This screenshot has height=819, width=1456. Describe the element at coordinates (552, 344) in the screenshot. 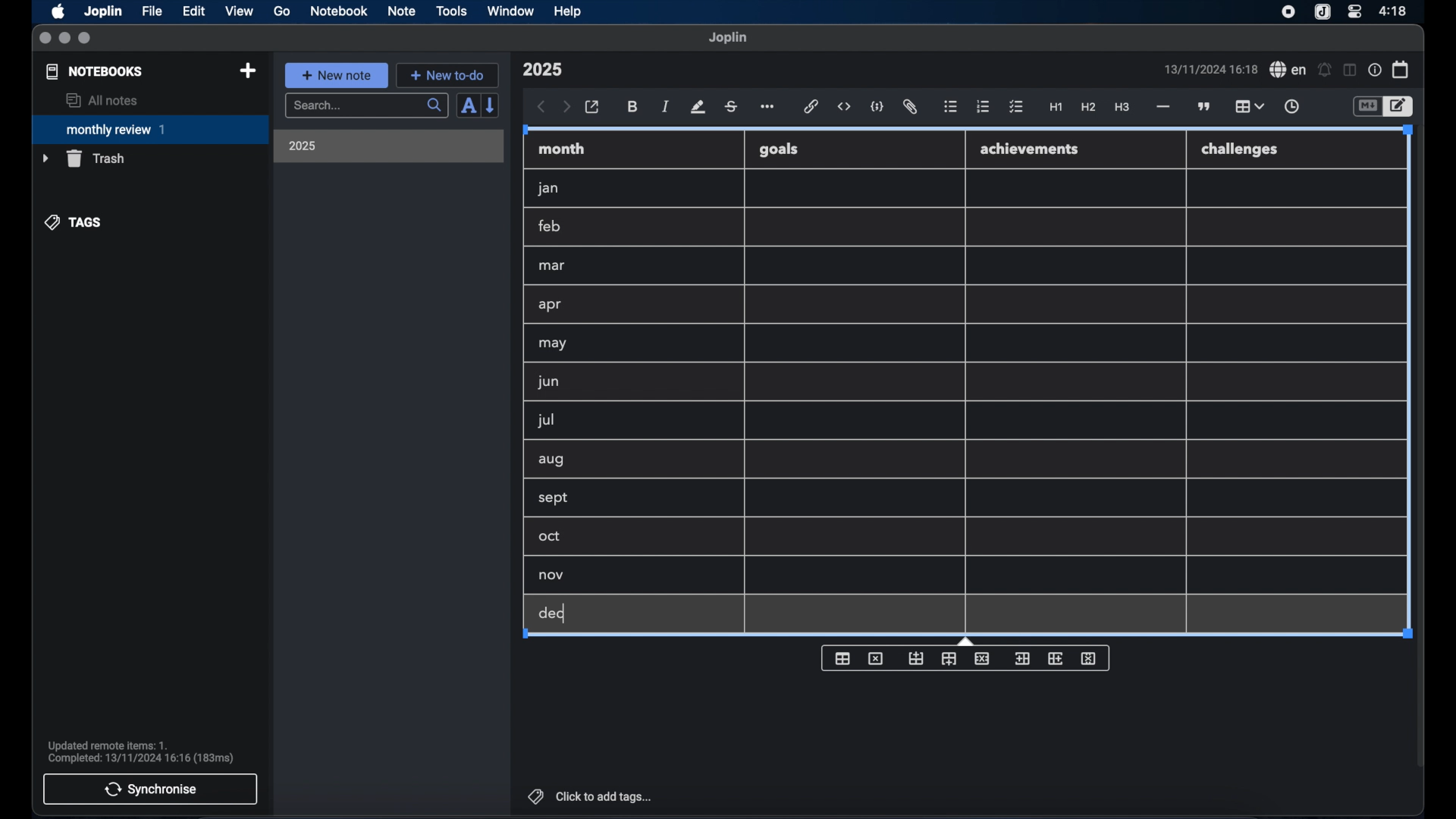

I see `may` at that location.